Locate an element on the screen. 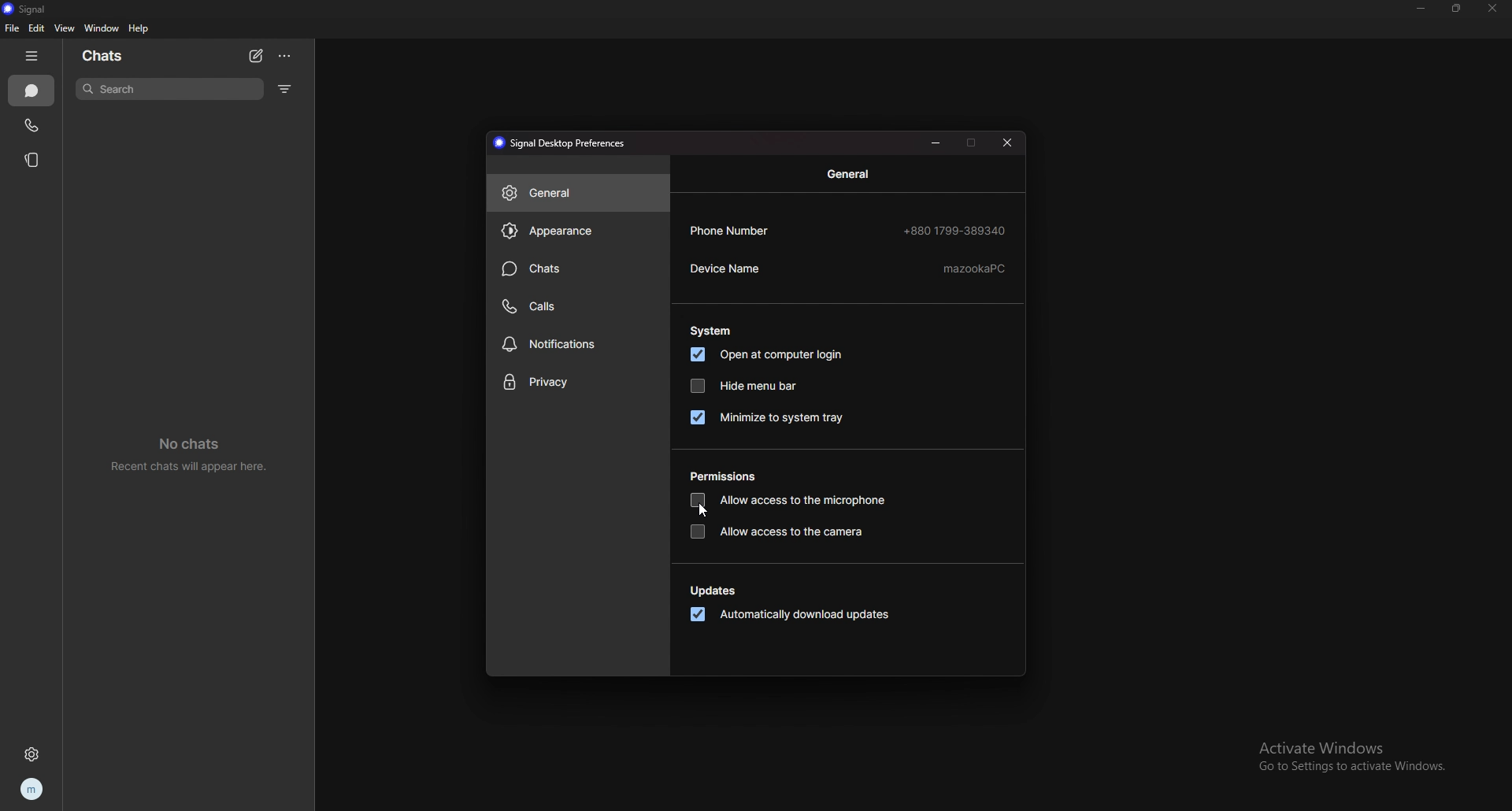 Image resolution: width=1512 pixels, height=811 pixels. settings is located at coordinates (30, 757).